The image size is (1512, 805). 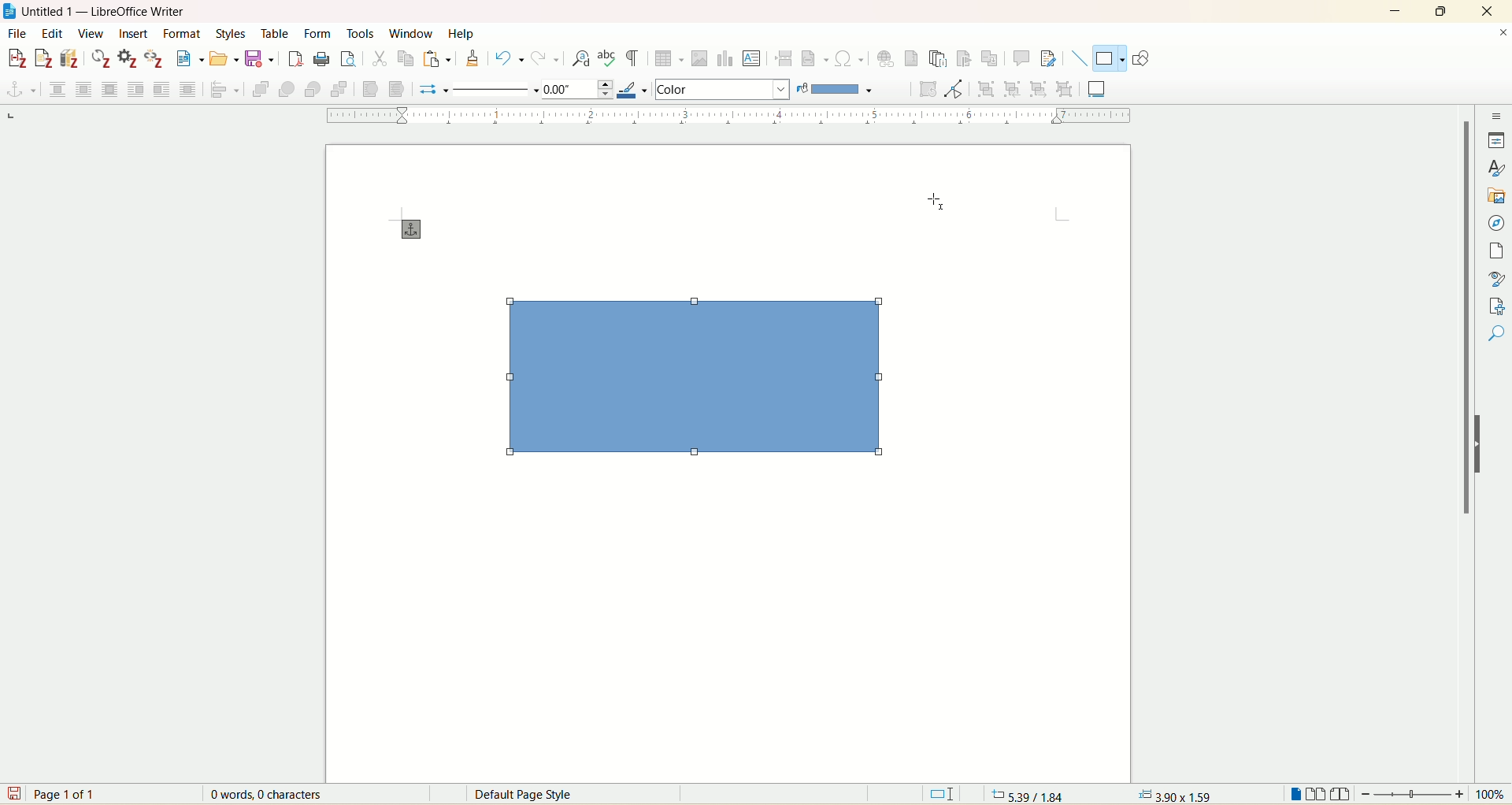 What do you see at coordinates (1496, 224) in the screenshot?
I see `navigator` at bounding box center [1496, 224].